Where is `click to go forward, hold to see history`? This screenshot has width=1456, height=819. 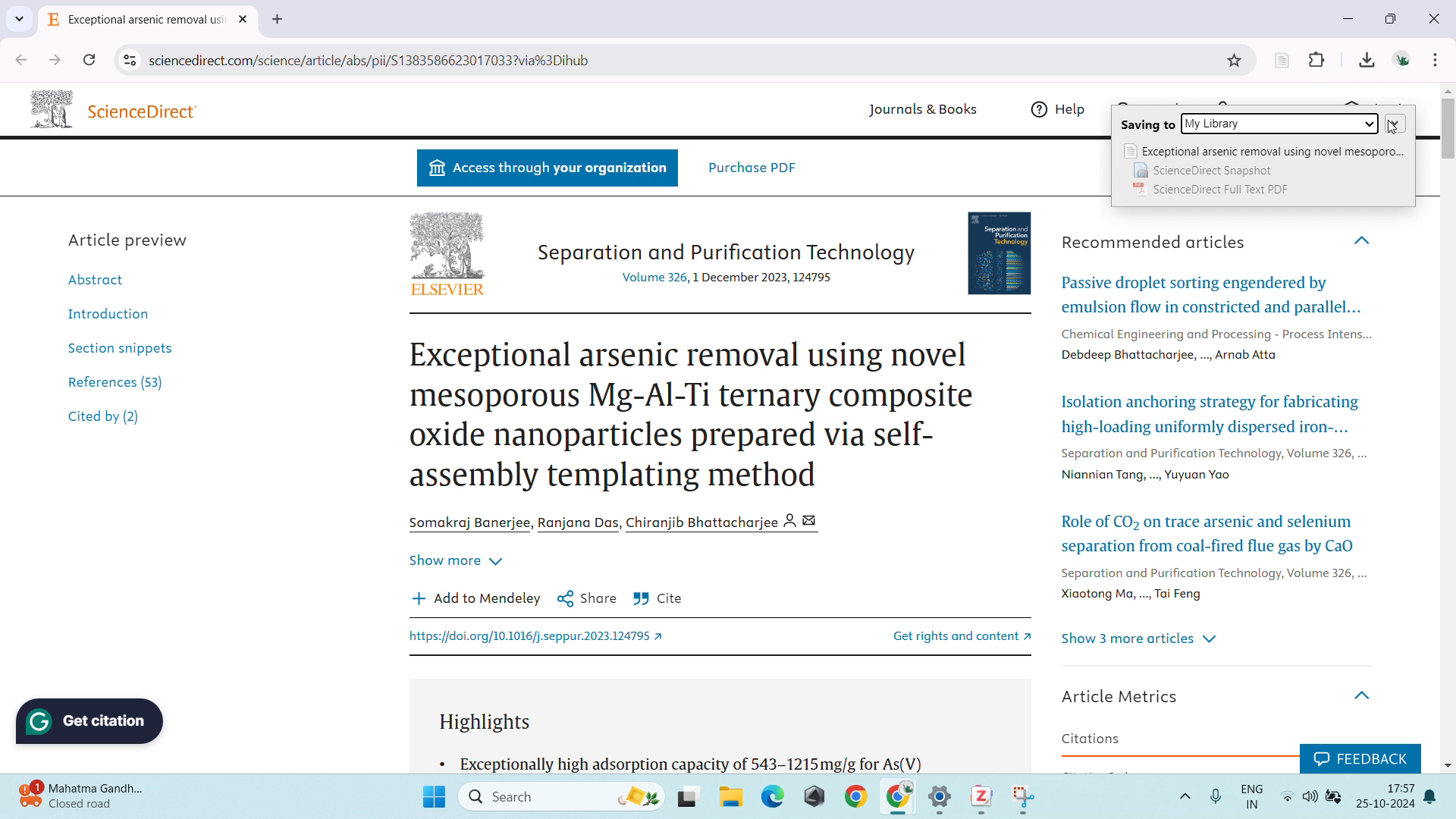 click to go forward, hold to see history is located at coordinates (55, 60).